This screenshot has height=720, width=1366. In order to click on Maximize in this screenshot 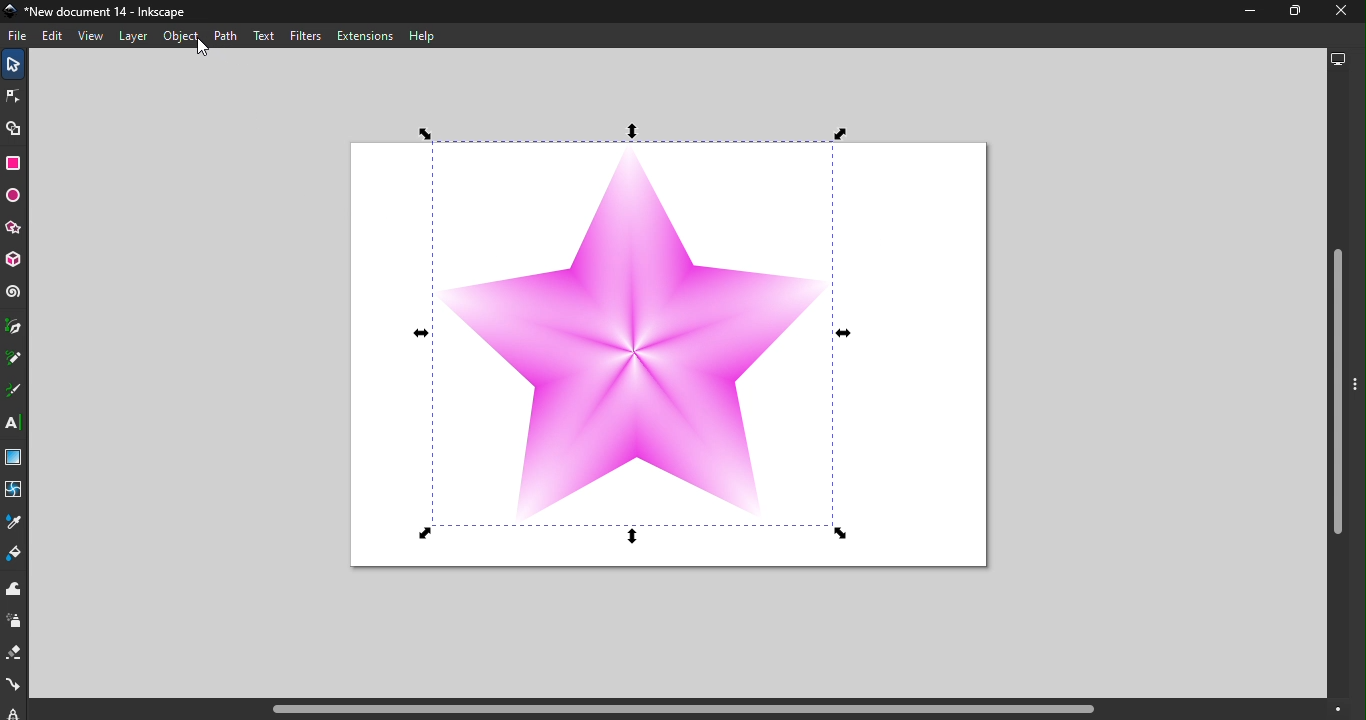, I will do `click(1288, 12)`.